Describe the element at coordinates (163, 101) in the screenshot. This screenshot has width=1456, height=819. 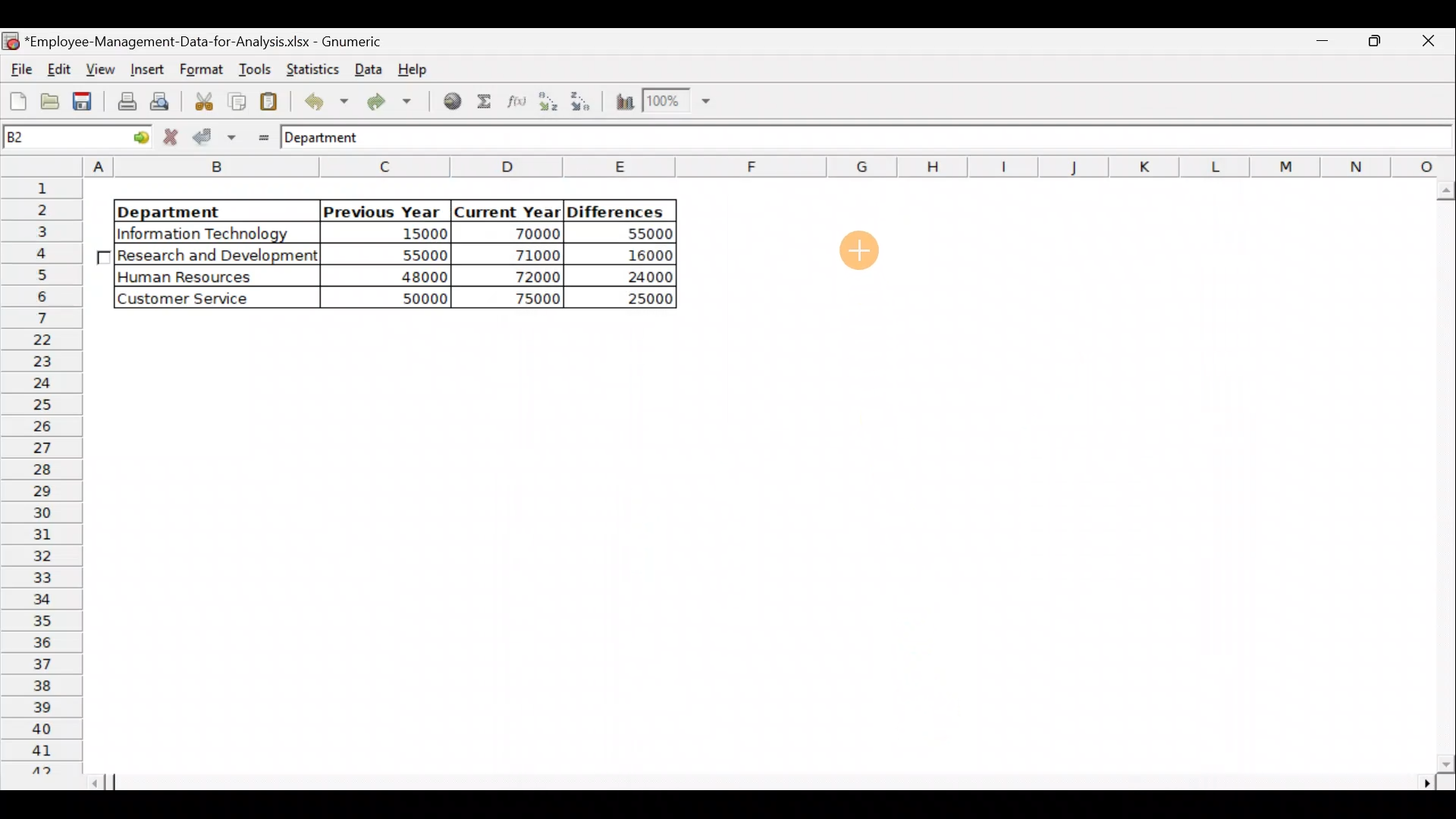
I see `Print preview` at that location.